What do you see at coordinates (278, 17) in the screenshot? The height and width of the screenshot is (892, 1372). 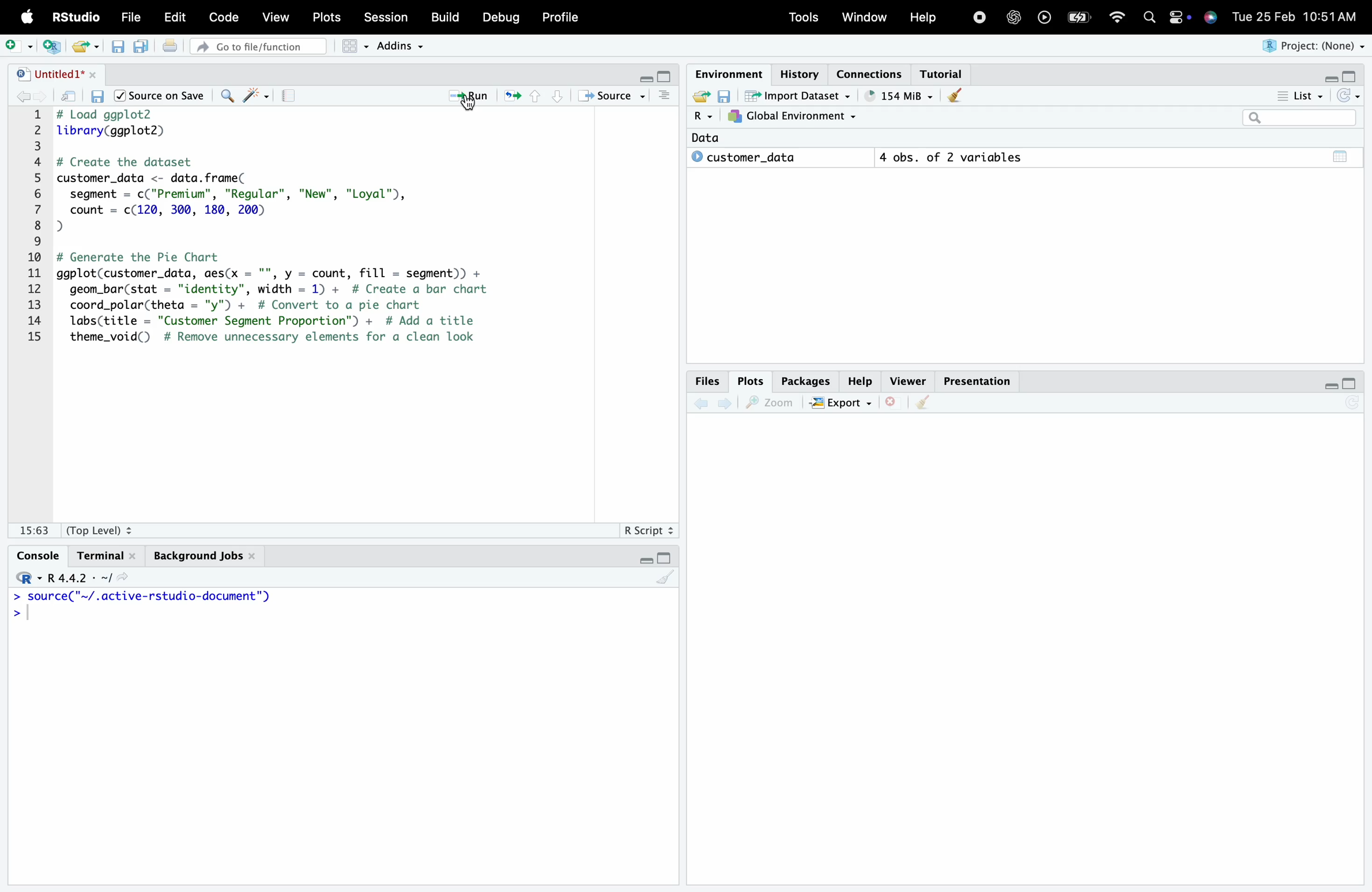 I see `View` at bounding box center [278, 17].